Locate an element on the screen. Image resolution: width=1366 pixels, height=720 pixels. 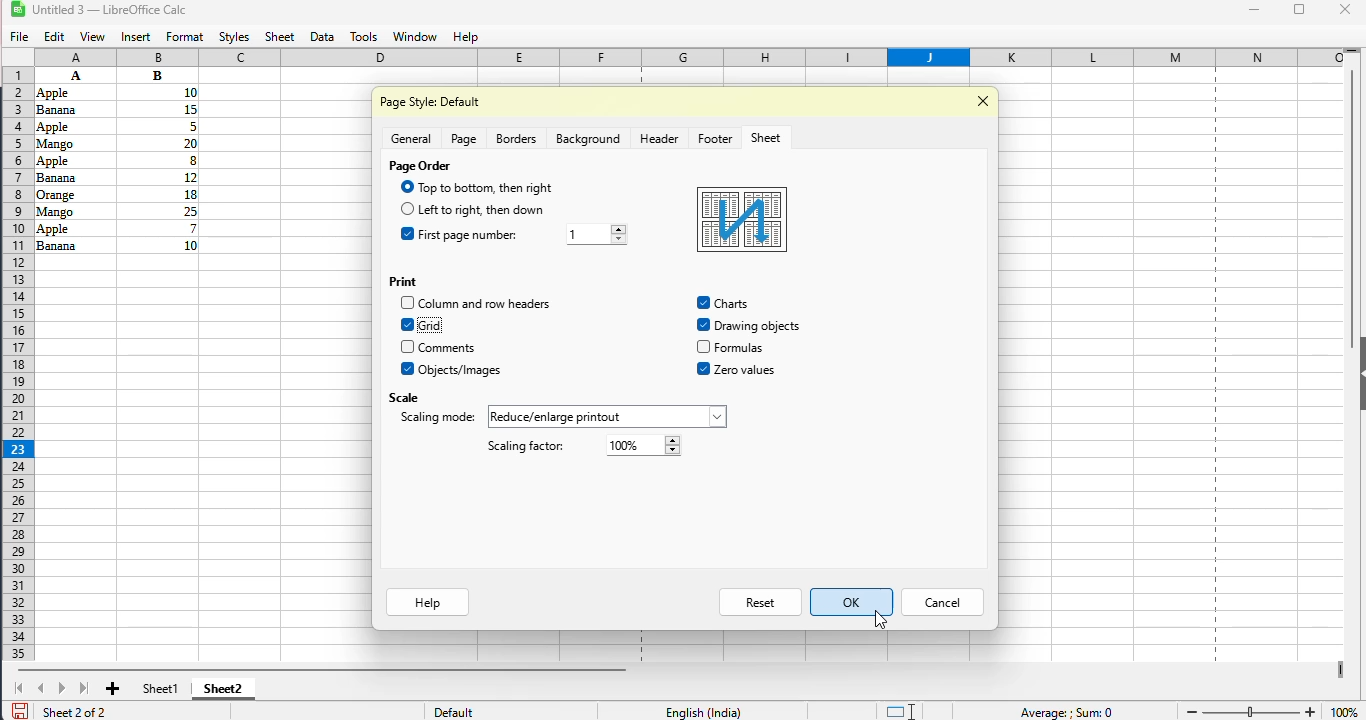
OK is located at coordinates (852, 602).